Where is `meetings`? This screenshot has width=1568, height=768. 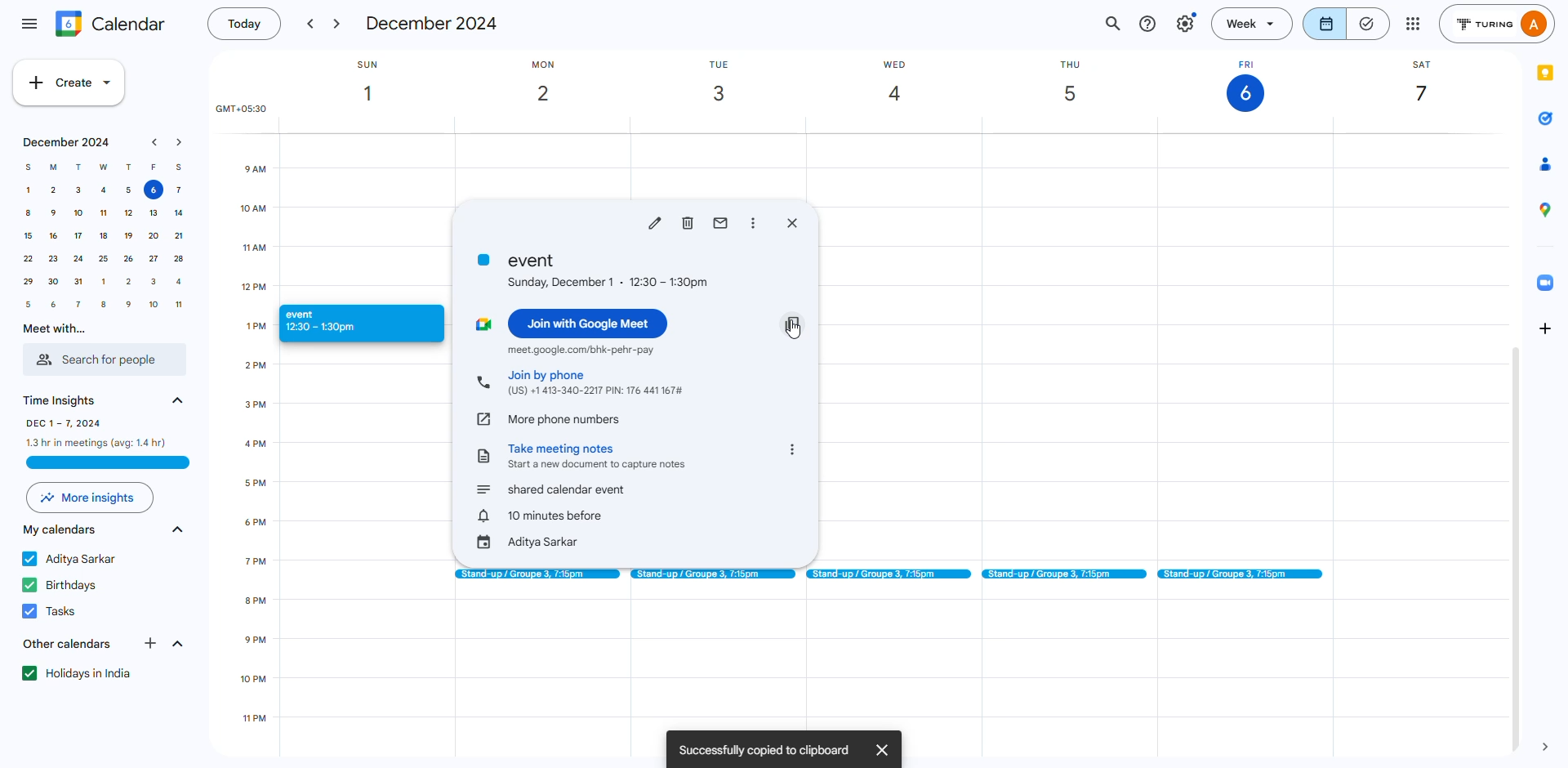
meetings is located at coordinates (888, 575).